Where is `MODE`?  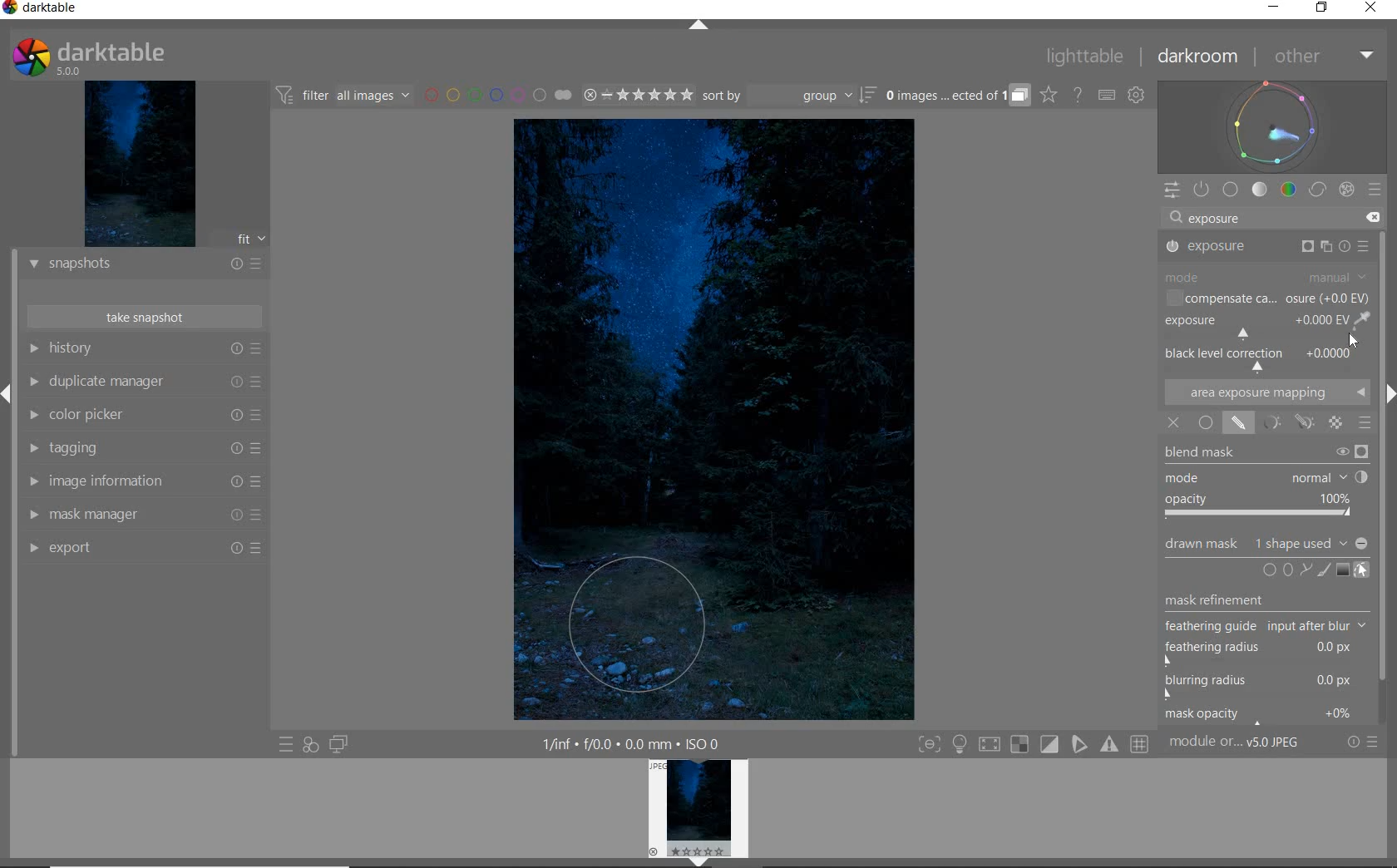
MODE is located at coordinates (1266, 279).